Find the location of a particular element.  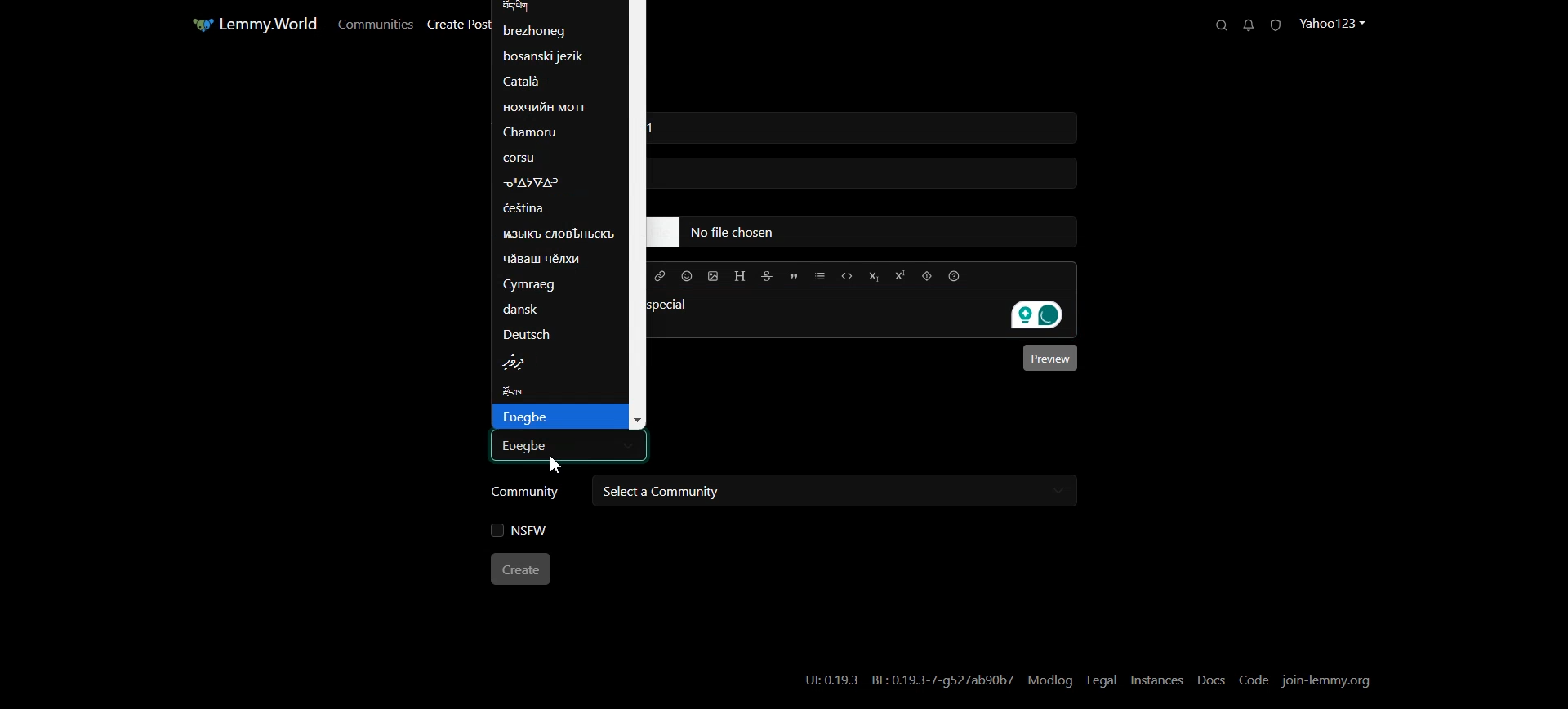

Vertical Scroll bar is located at coordinates (639, 215).